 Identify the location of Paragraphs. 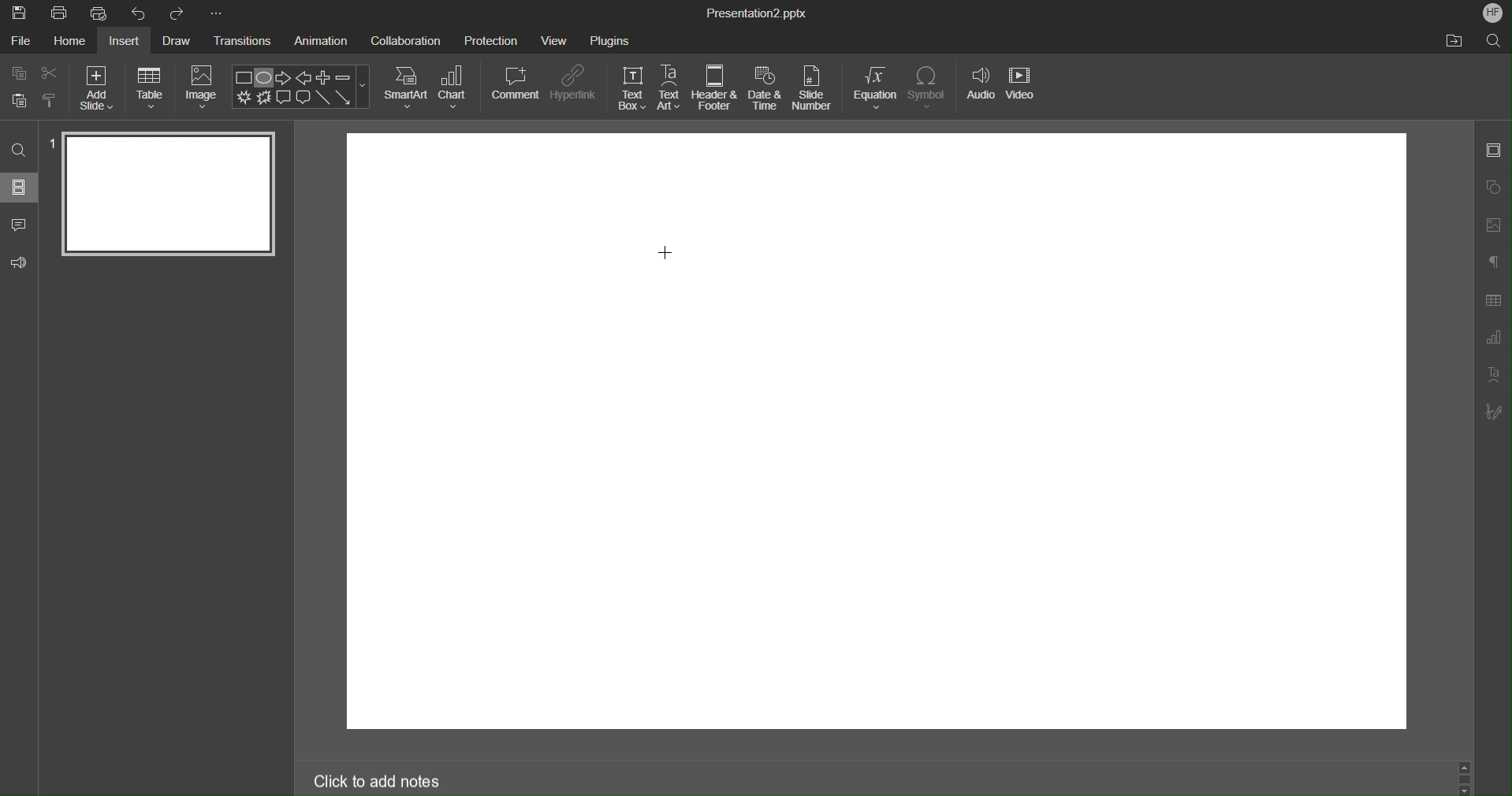
(1494, 261).